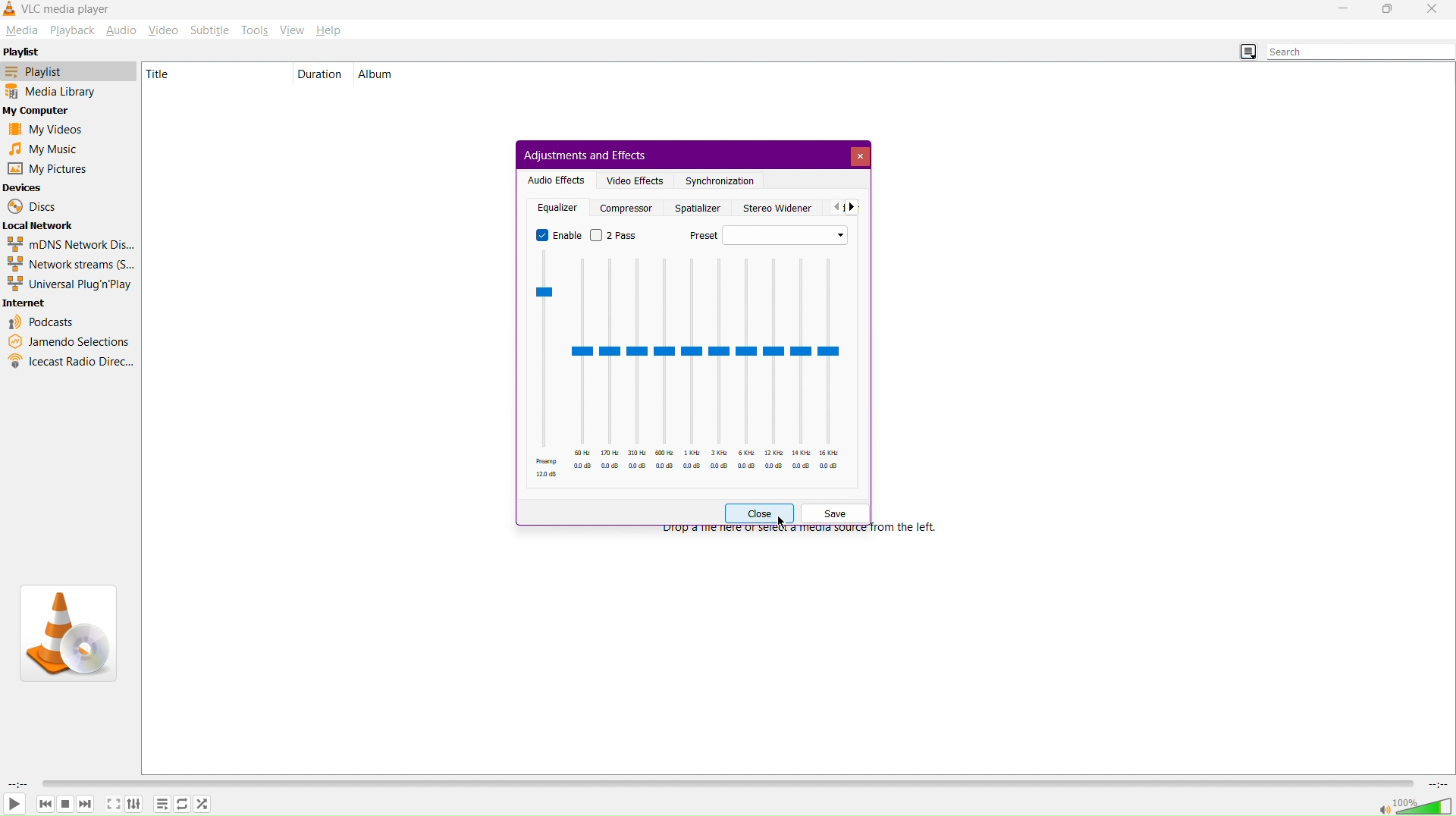 The width and height of the screenshot is (1456, 816). What do you see at coordinates (1360, 52) in the screenshot?
I see `Search bar` at bounding box center [1360, 52].